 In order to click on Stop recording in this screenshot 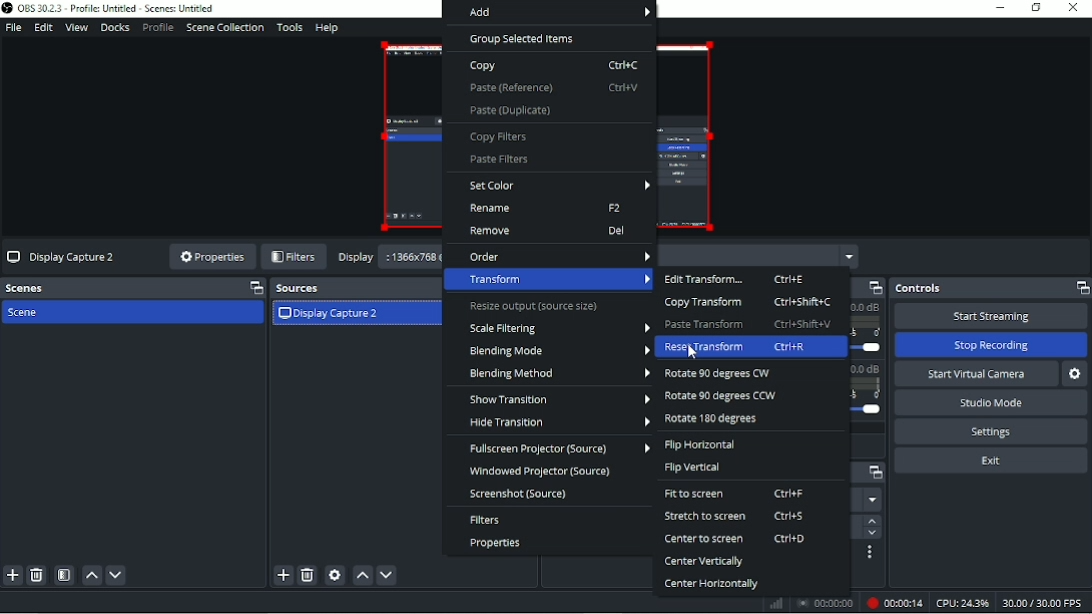, I will do `click(825, 602)`.